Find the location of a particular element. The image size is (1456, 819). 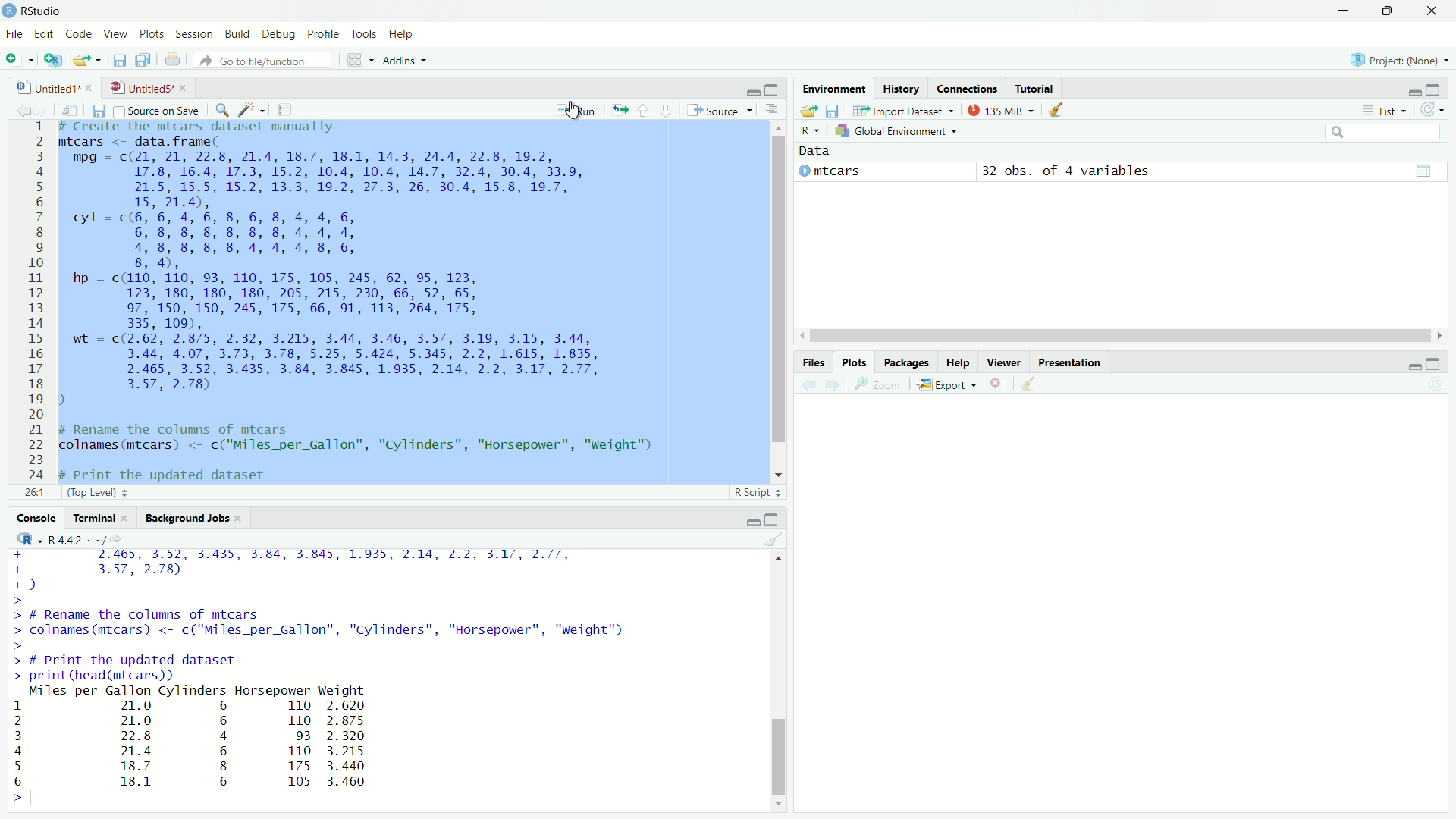

R~ is located at coordinates (810, 129).